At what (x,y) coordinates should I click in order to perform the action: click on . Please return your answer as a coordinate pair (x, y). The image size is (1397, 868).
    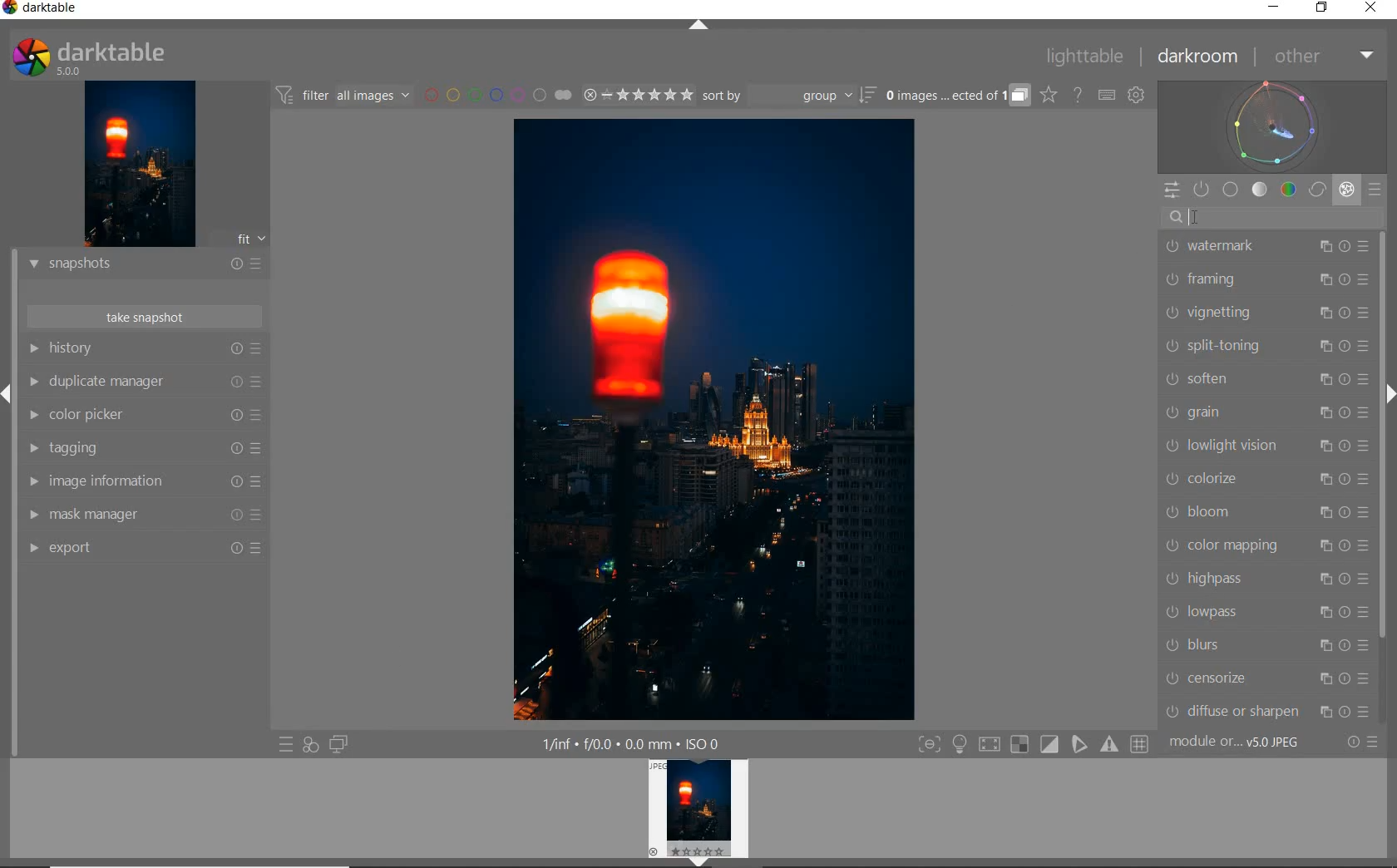
    Looking at the image, I should click on (234, 448).